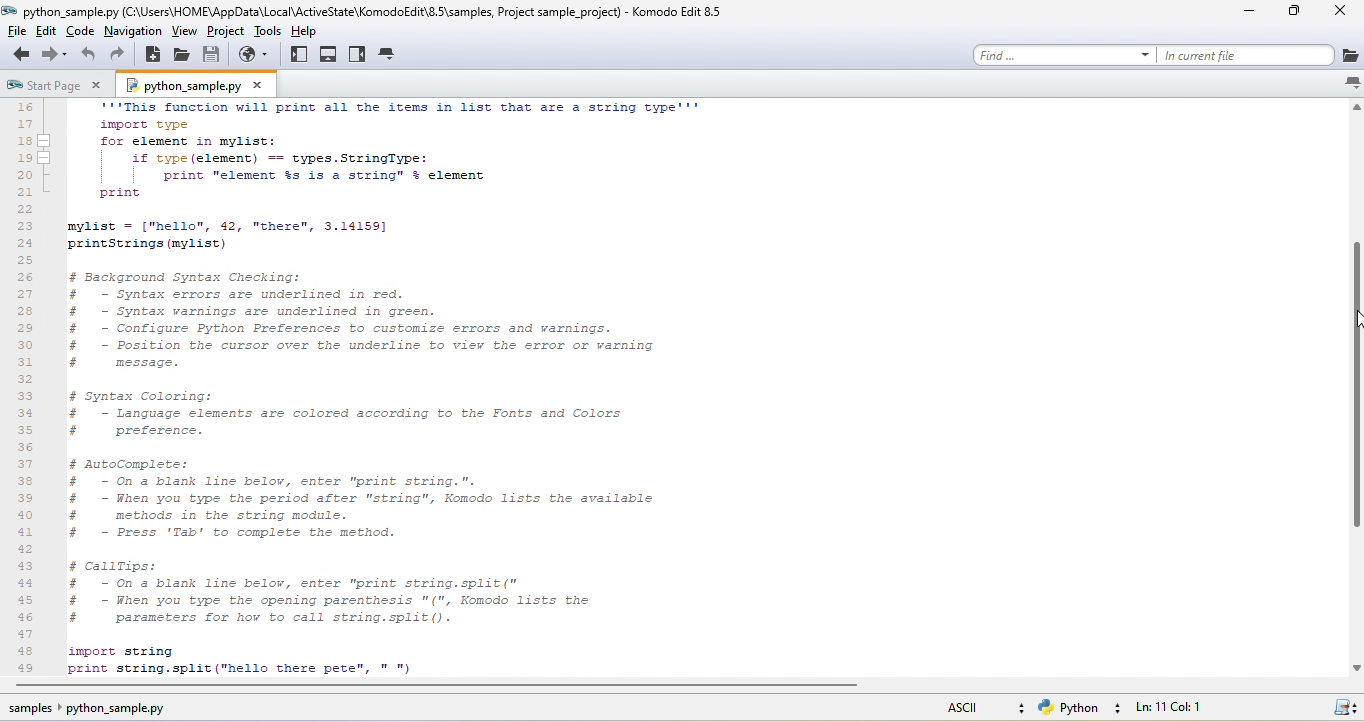 This screenshot has width=1364, height=722. Describe the element at coordinates (679, 11) in the screenshot. I see `title` at that location.